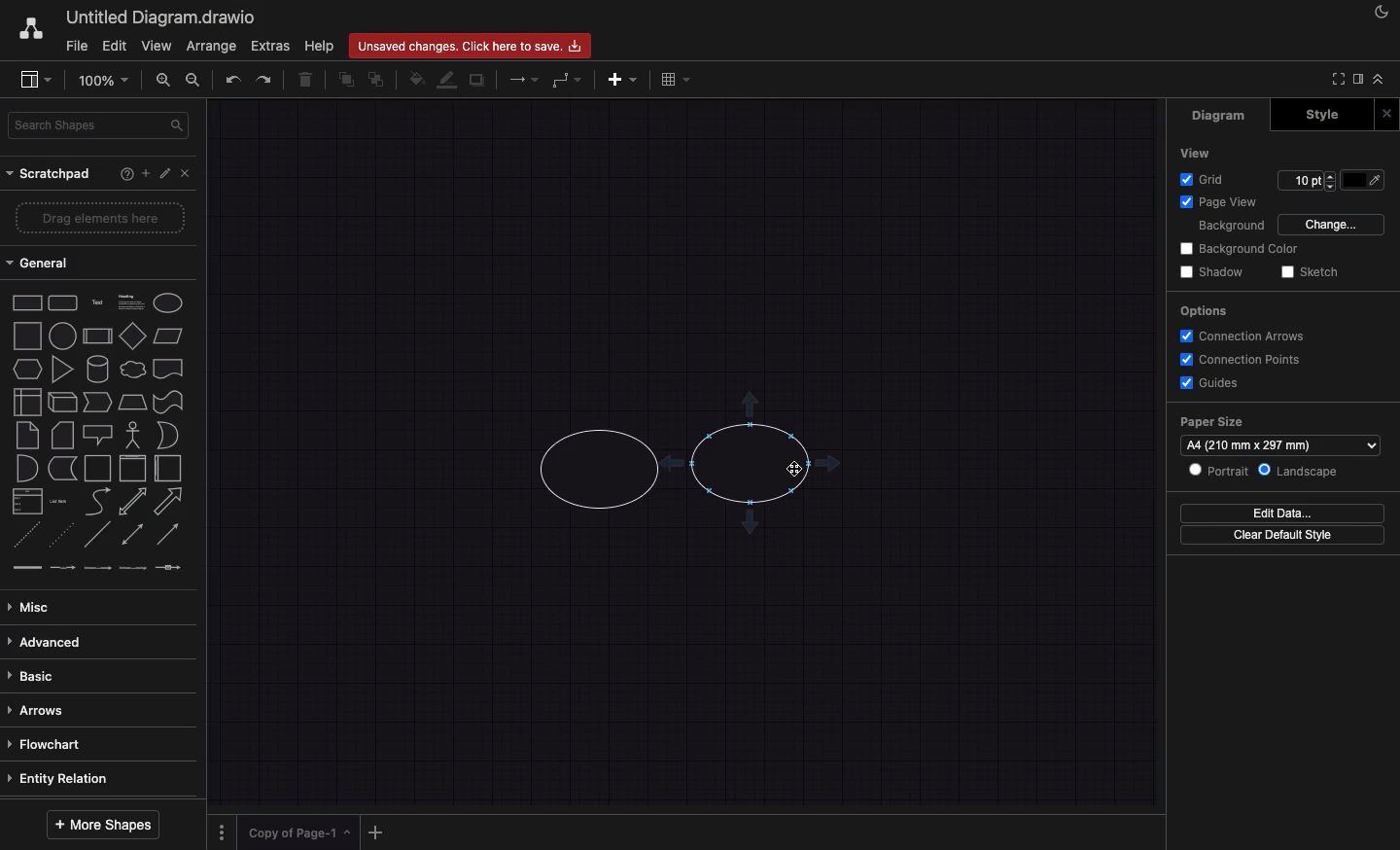 The image size is (1400, 850). What do you see at coordinates (829, 464) in the screenshot?
I see `add shape` at bounding box center [829, 464].